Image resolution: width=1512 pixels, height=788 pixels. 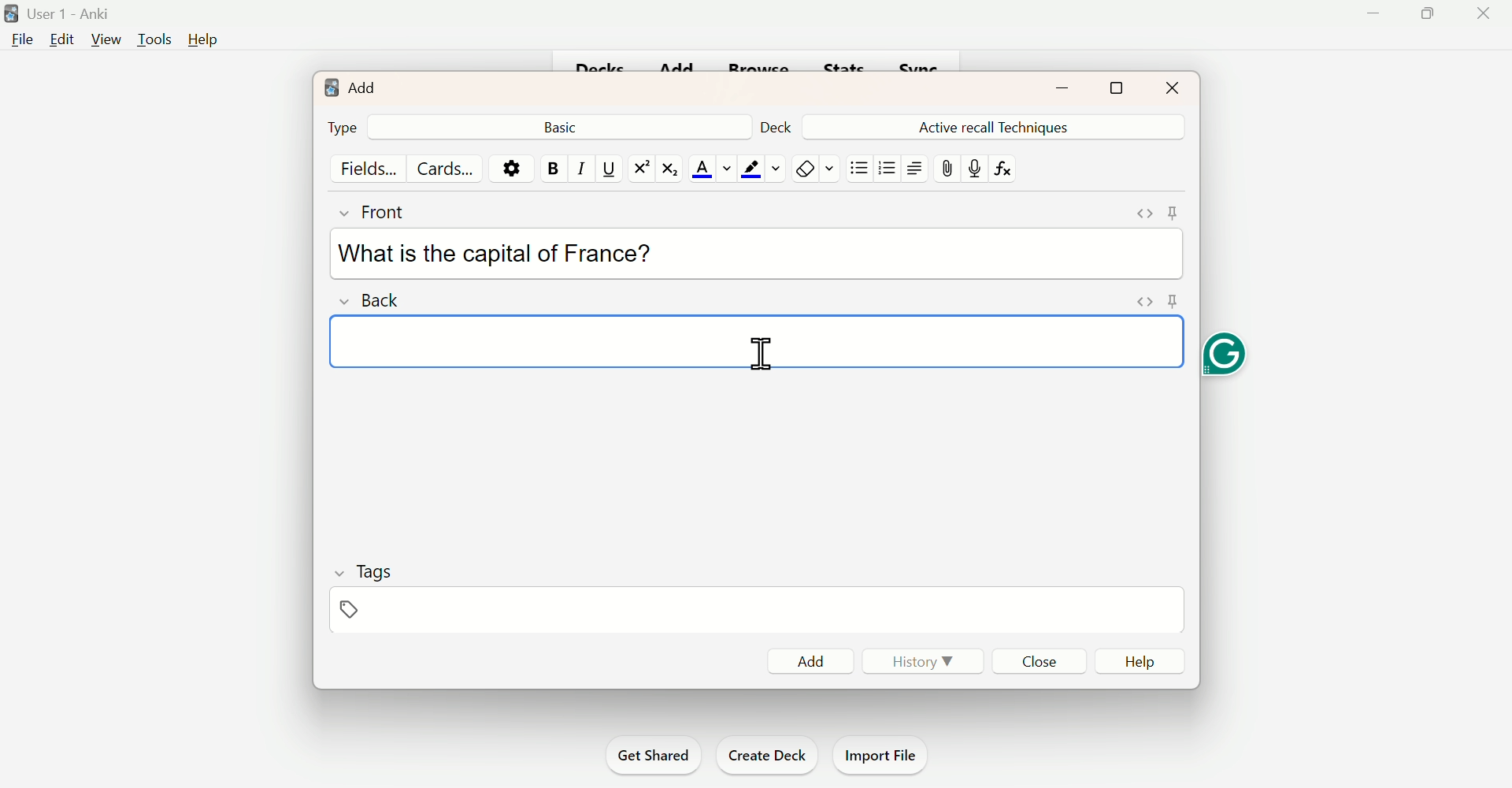 What do you see at coordinates (708, 167) in the screenshot?
I see `Text Color` at bounding box center [708, 167].